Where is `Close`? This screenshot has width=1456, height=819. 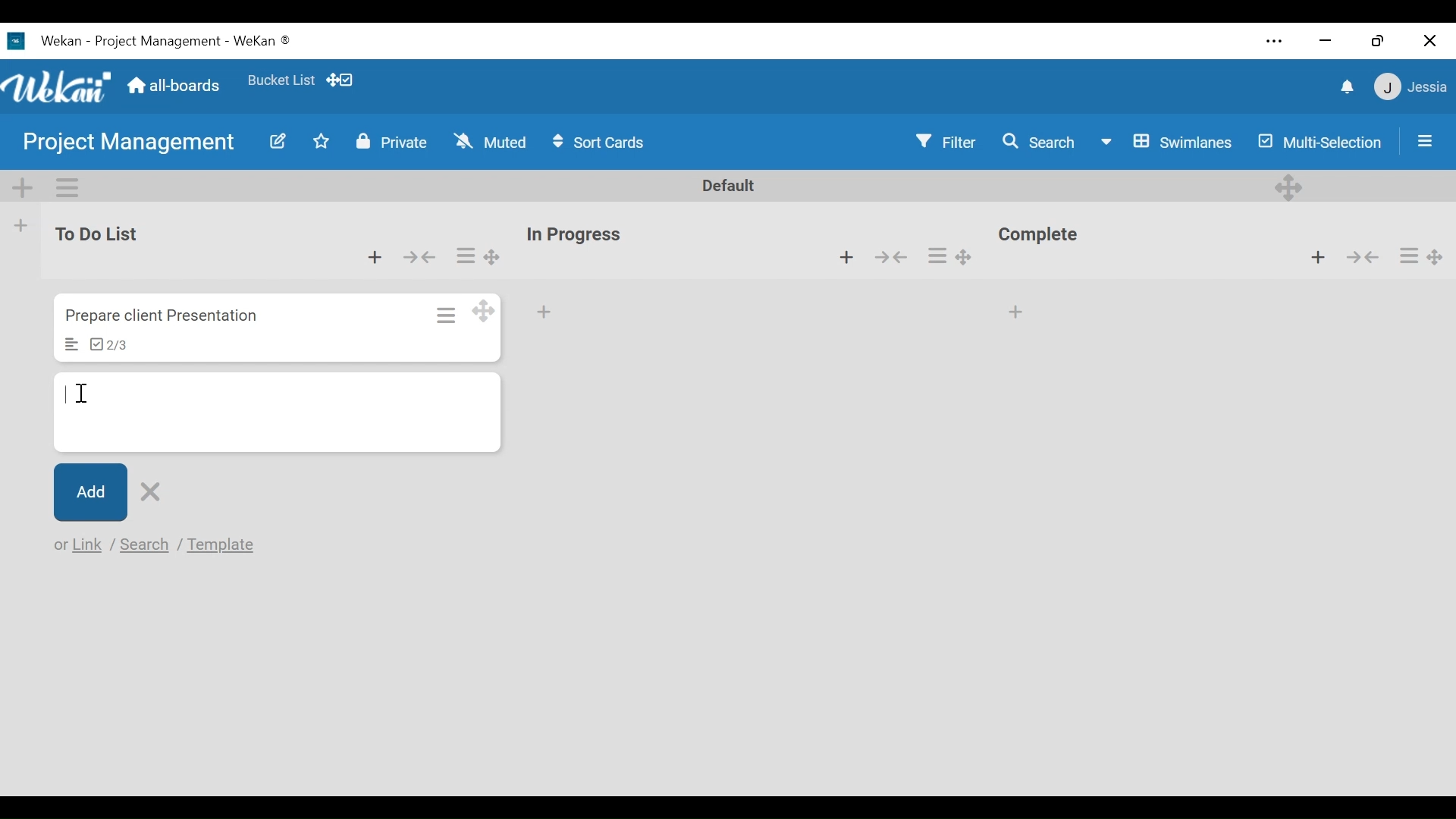
Close is located at coordinates (1429, 37).